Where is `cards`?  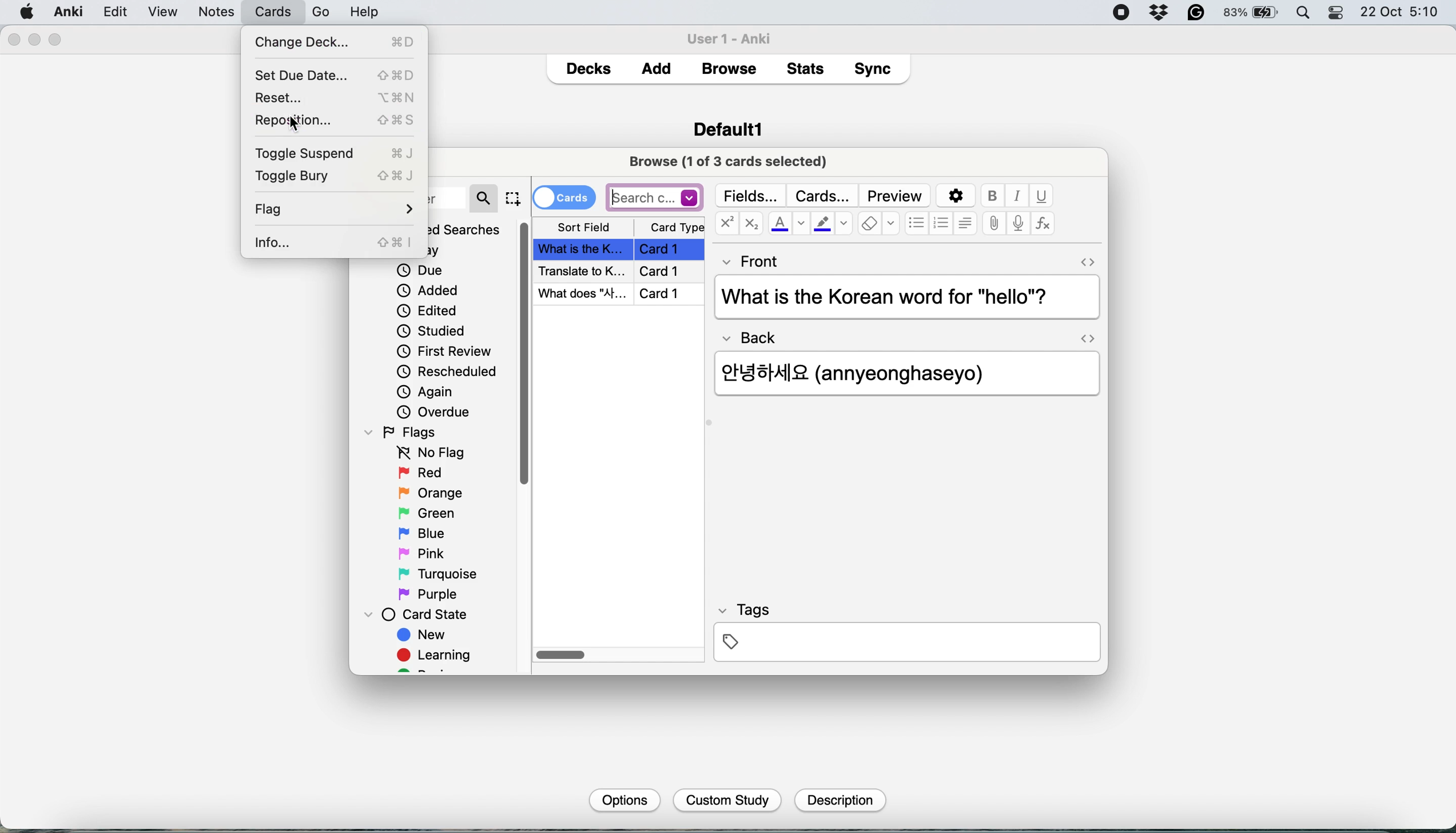 cards is located at coordinates (564, 196).